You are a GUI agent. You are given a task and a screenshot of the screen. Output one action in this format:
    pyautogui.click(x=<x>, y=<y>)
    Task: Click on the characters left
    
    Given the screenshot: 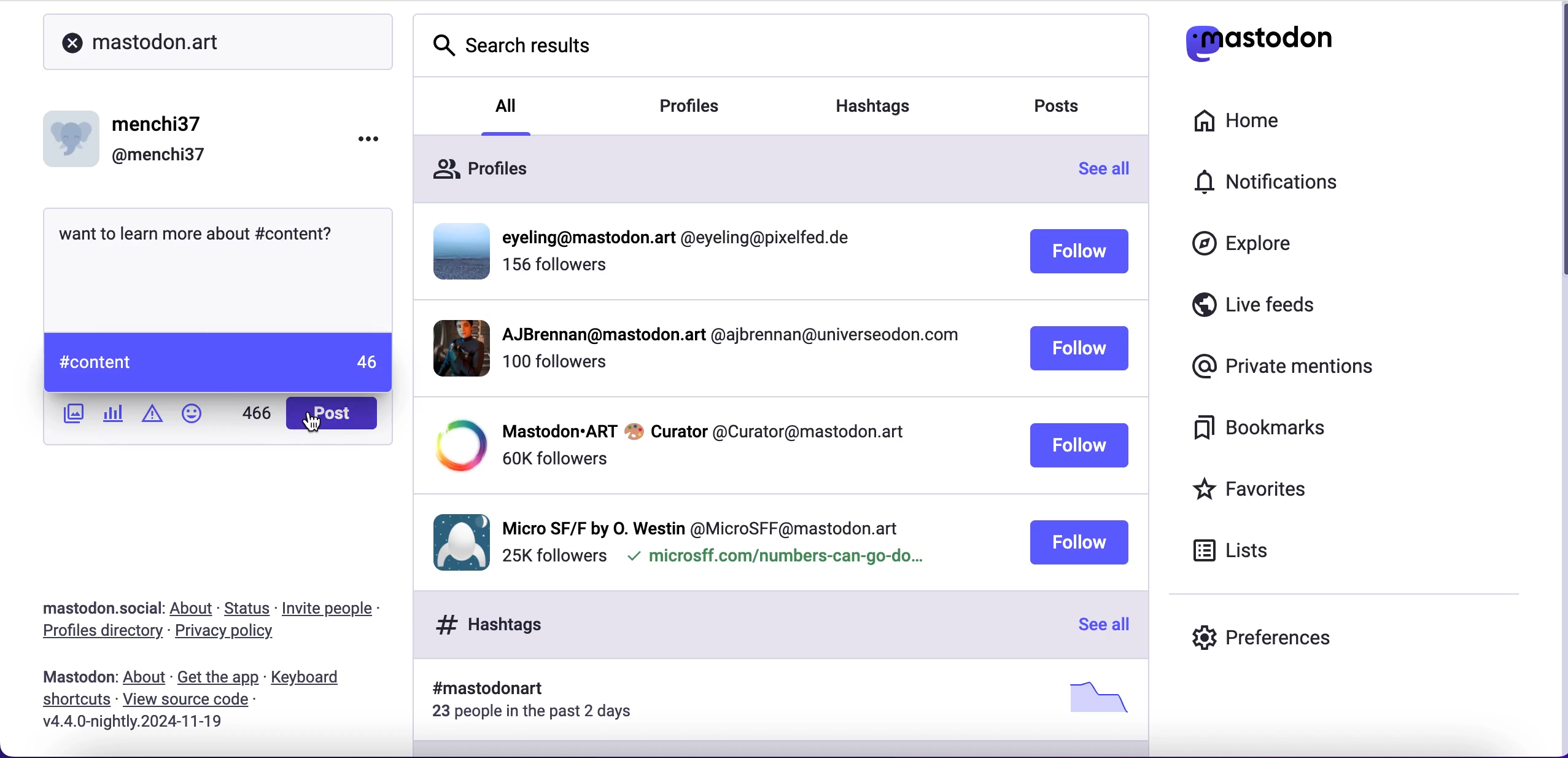 What is the action you would take?
    pyautogui.click(x=255, y=413)
    